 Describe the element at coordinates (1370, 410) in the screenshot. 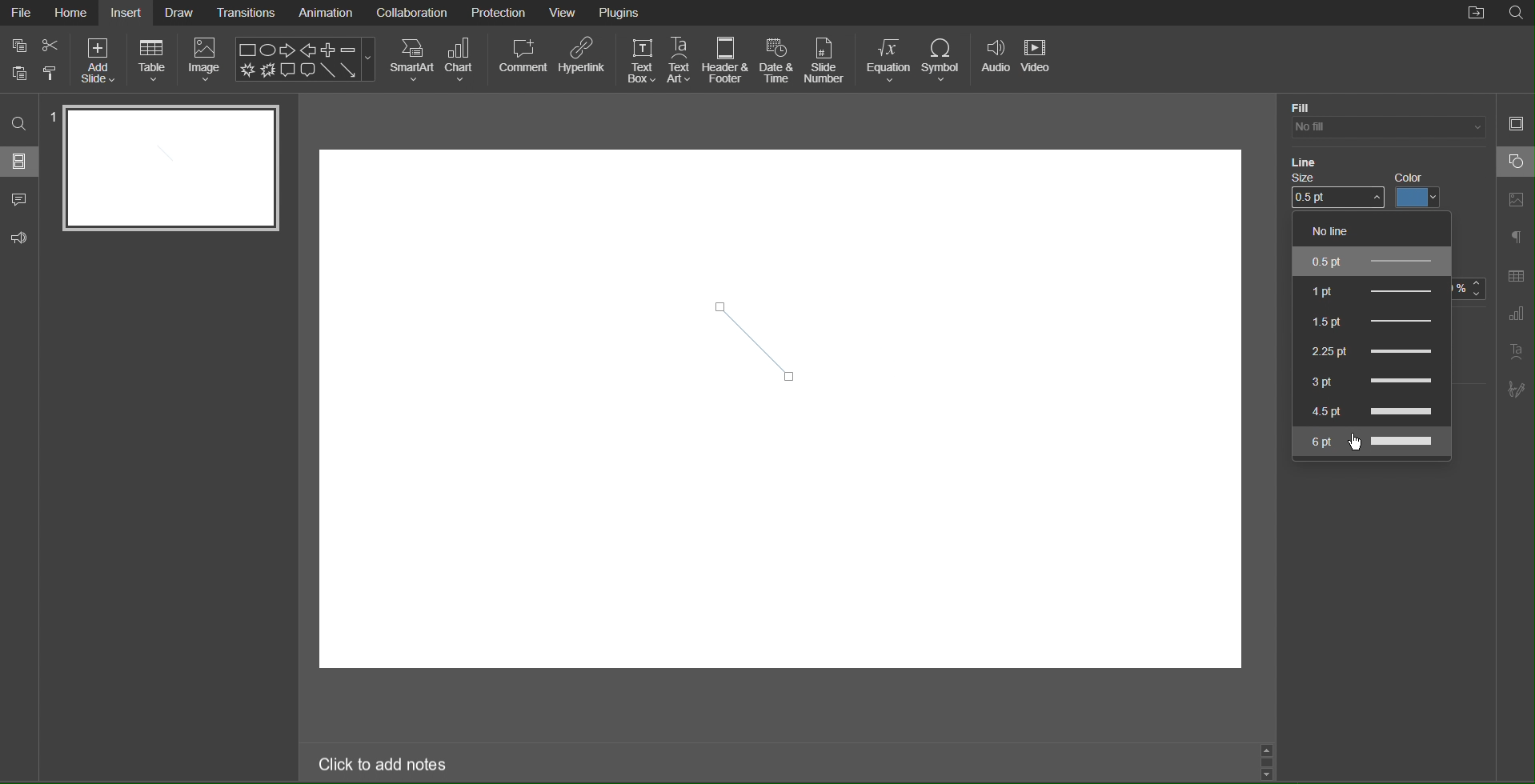

I see `4.5pt` at that location.